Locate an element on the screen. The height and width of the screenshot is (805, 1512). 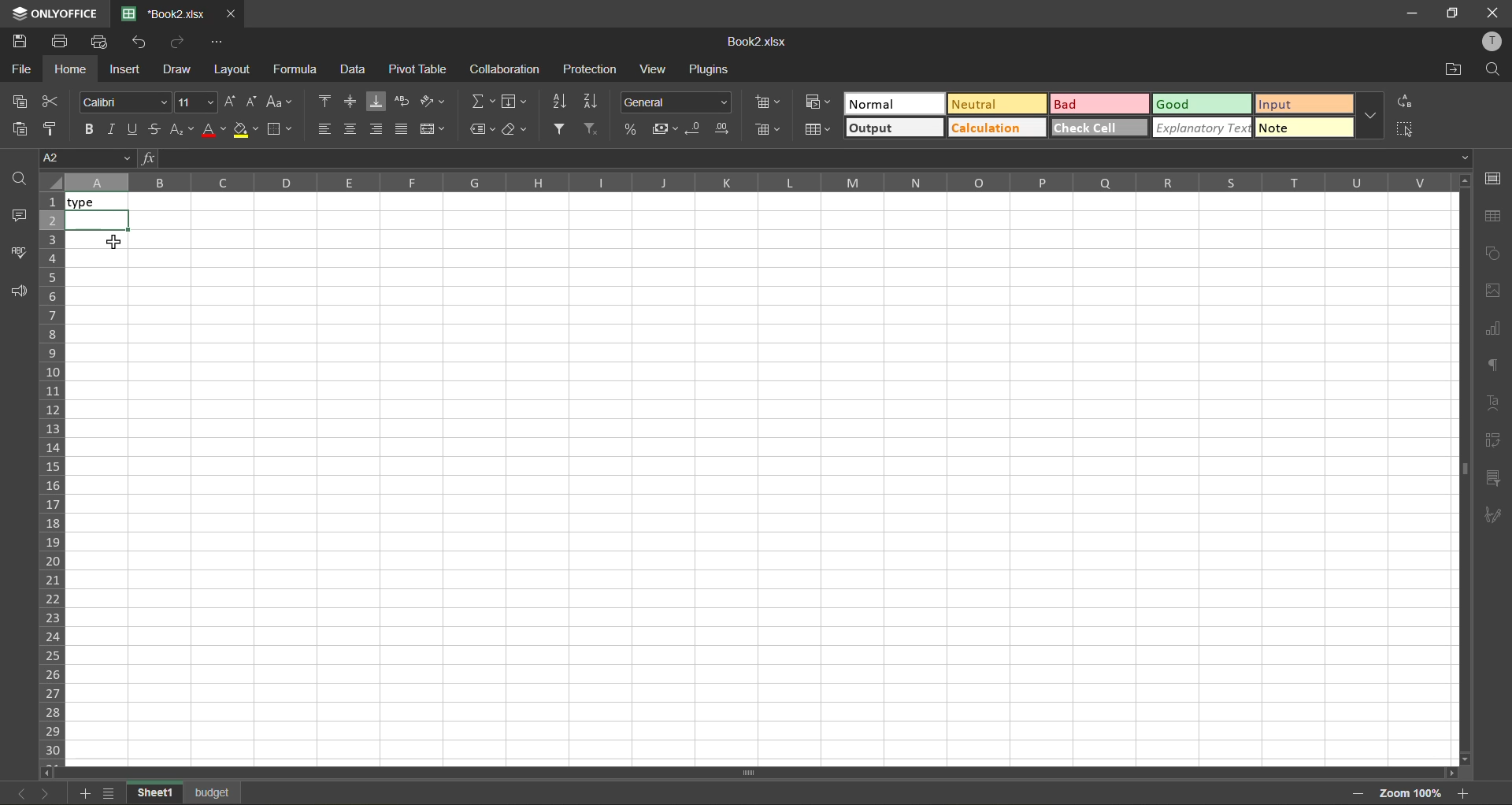
cursor is located at coordinates (117, 243).